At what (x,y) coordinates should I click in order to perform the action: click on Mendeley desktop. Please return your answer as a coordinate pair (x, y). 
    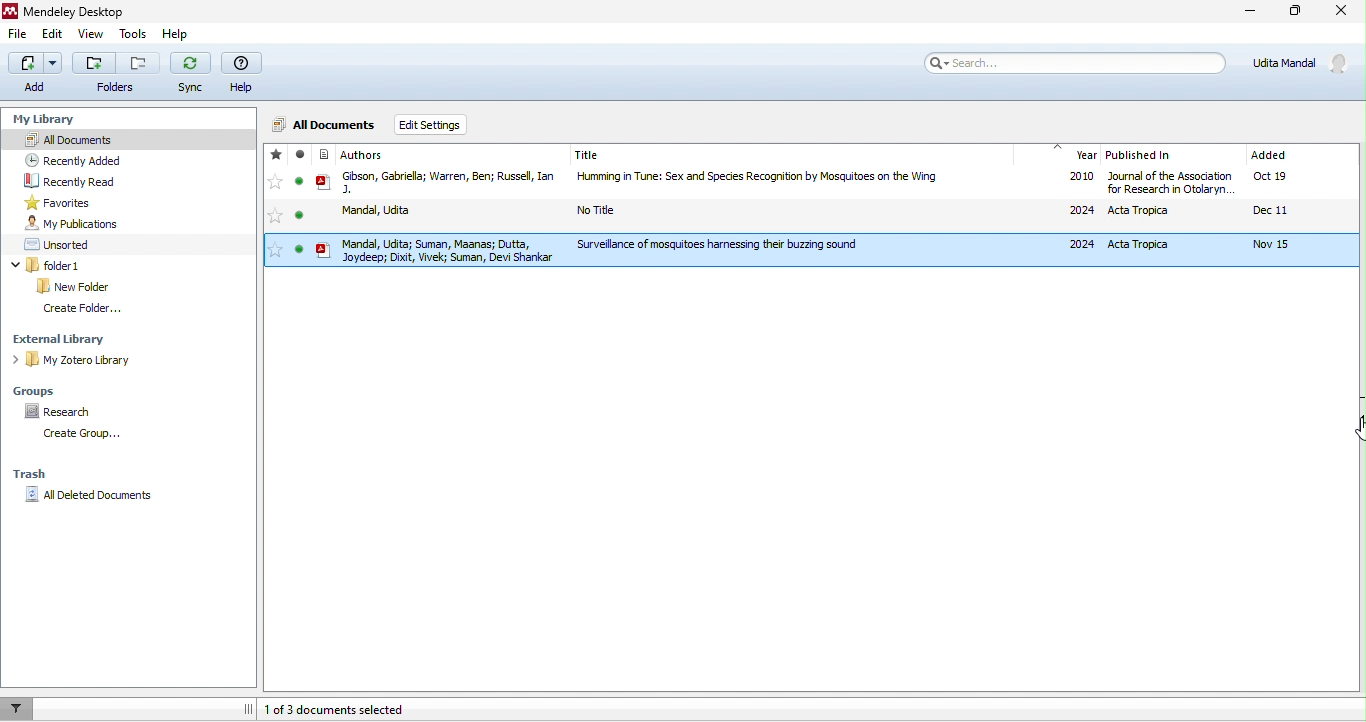
    Looking at the image, I should click on (65, 11).